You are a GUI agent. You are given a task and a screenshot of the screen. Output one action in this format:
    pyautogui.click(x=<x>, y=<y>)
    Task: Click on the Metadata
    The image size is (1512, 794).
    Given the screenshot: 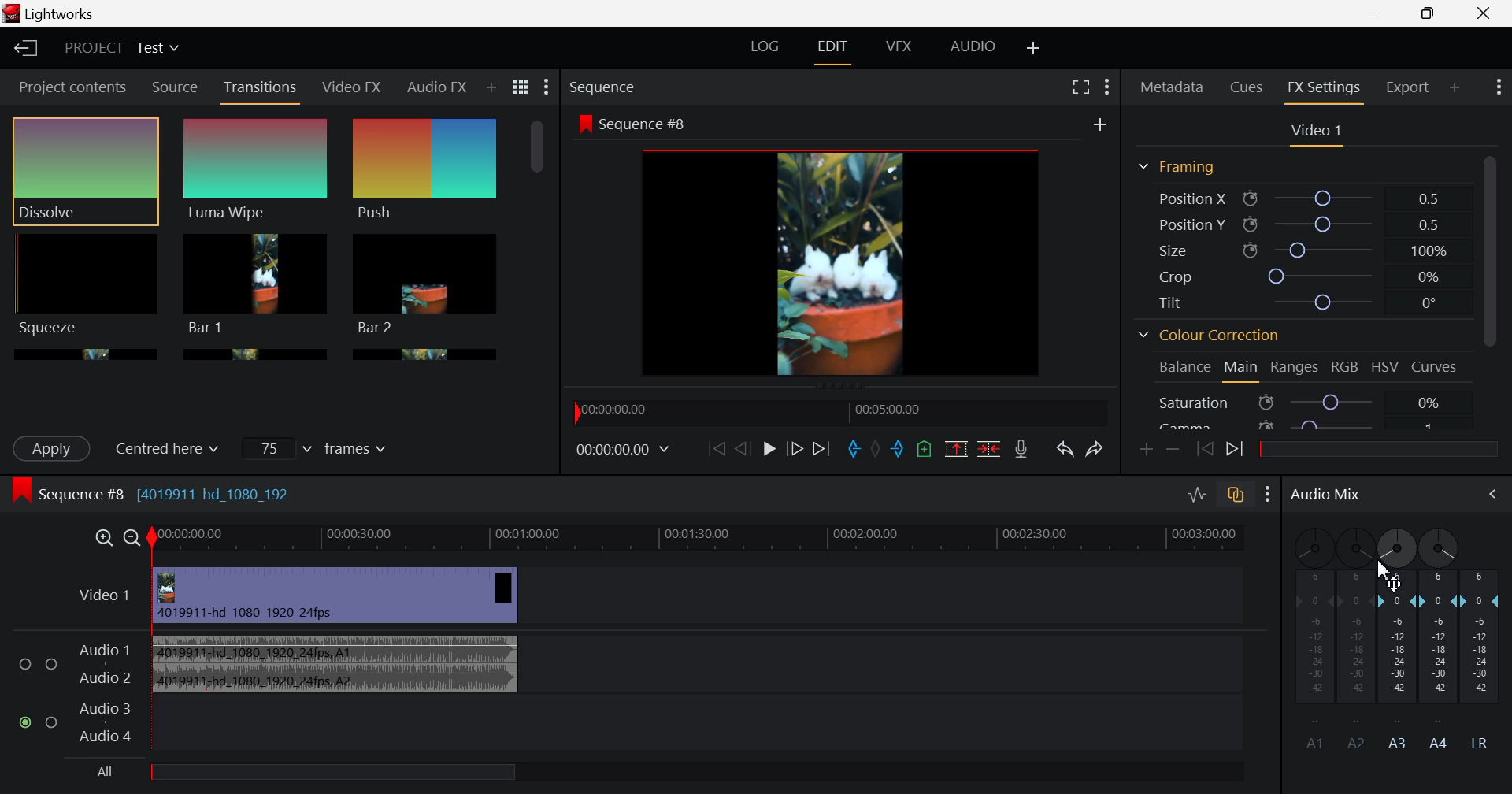 What is the action you would take?
    pyautogui.click(x=1172, y=87)
    